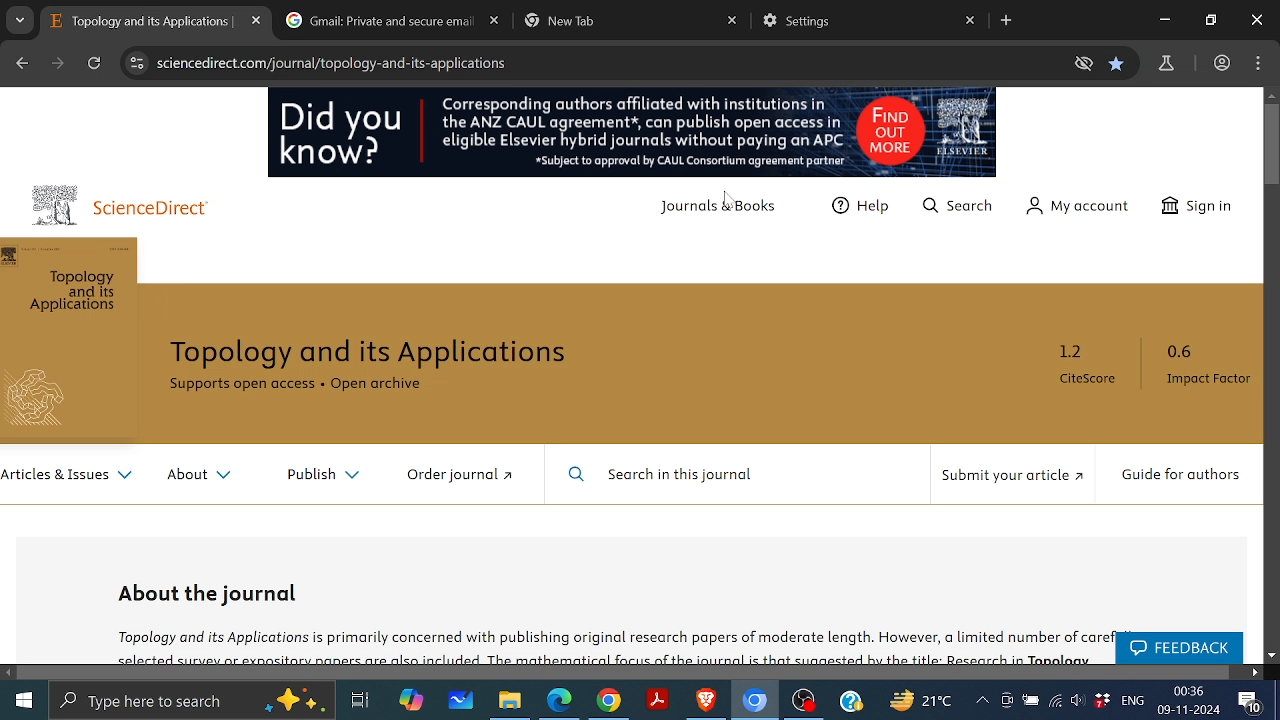  I want to click on Close settings tab, so click(972, 21).